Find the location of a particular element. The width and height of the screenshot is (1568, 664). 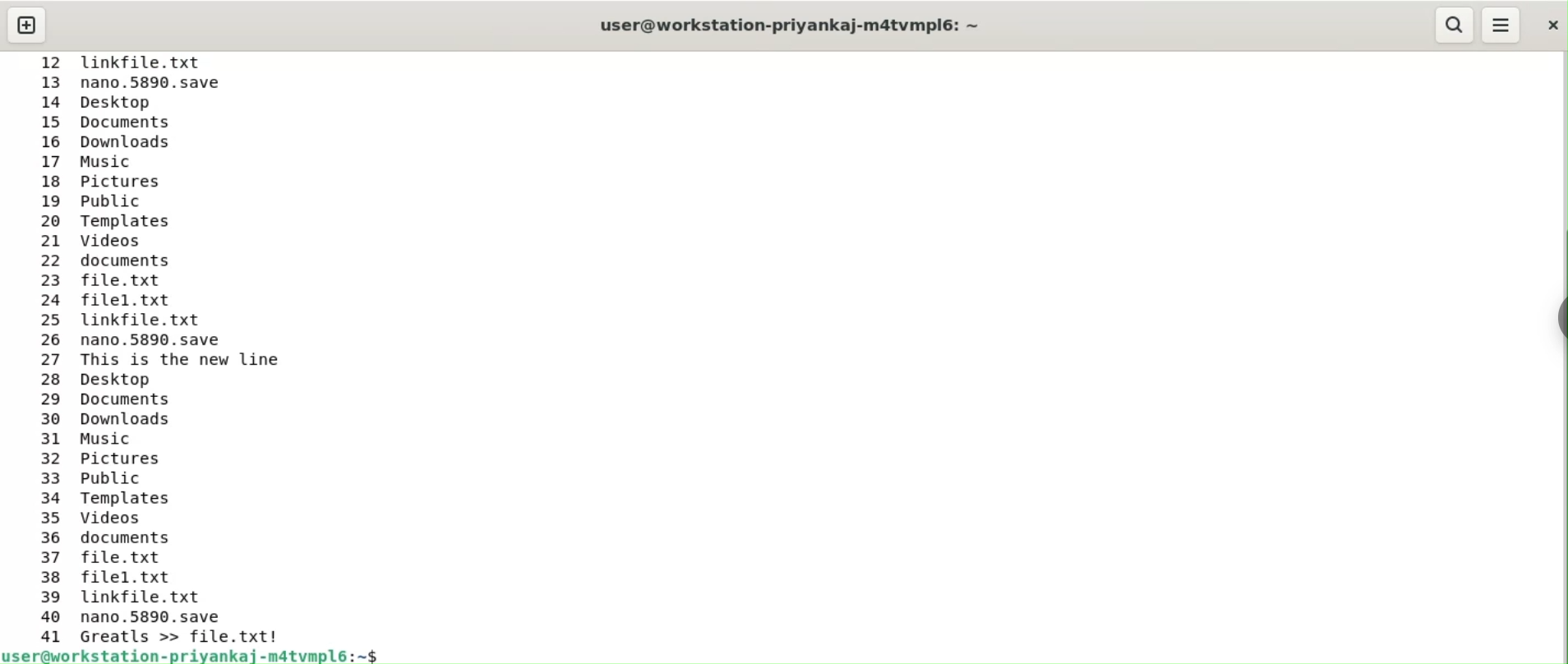

sidebar is located at coordinates (1564, 316).